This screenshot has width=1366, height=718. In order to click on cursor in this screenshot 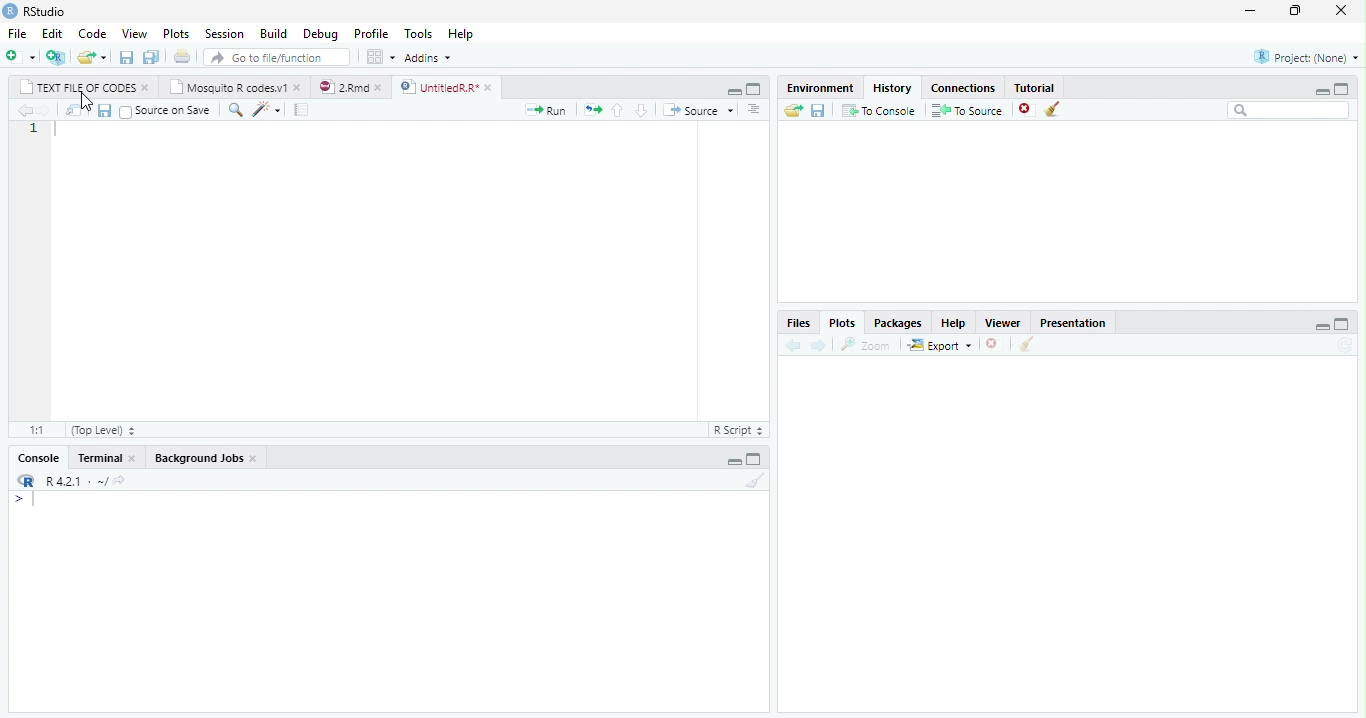, I will do `click(86, 101)`.